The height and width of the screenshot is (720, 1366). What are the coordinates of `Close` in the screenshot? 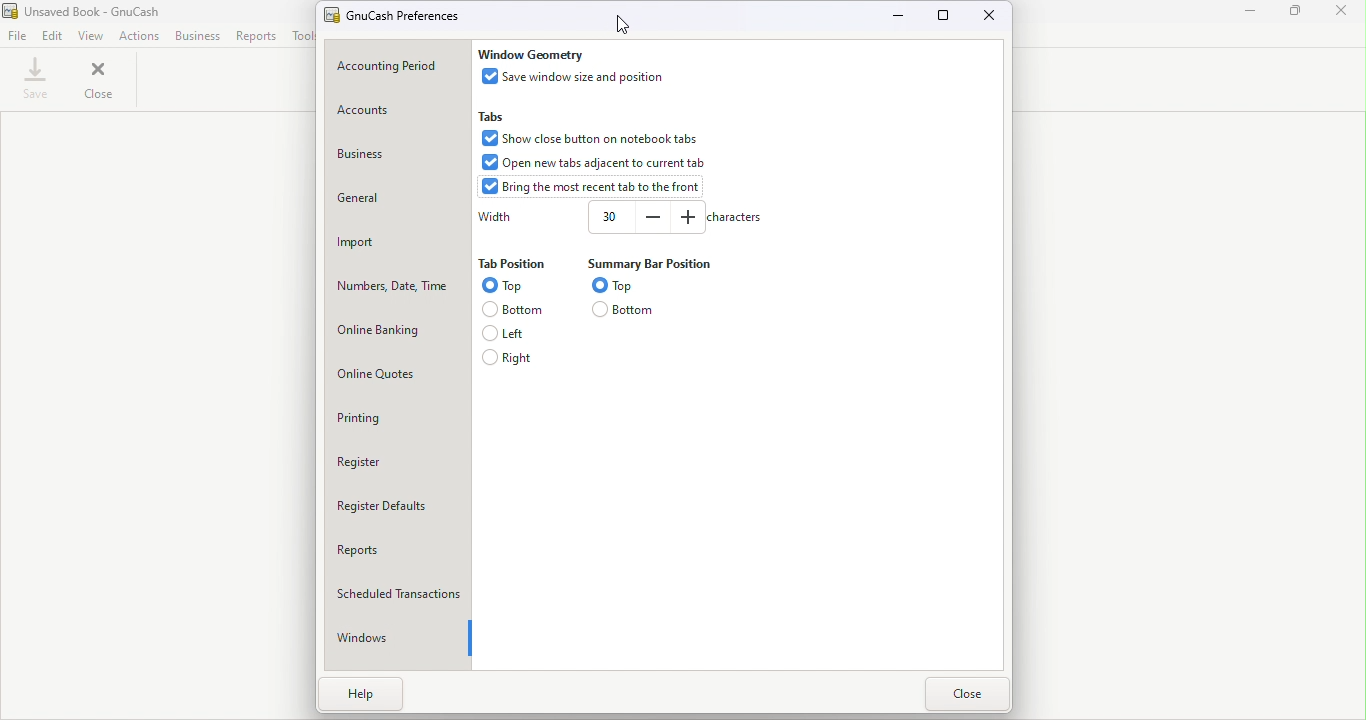 It's located at (987, 17).